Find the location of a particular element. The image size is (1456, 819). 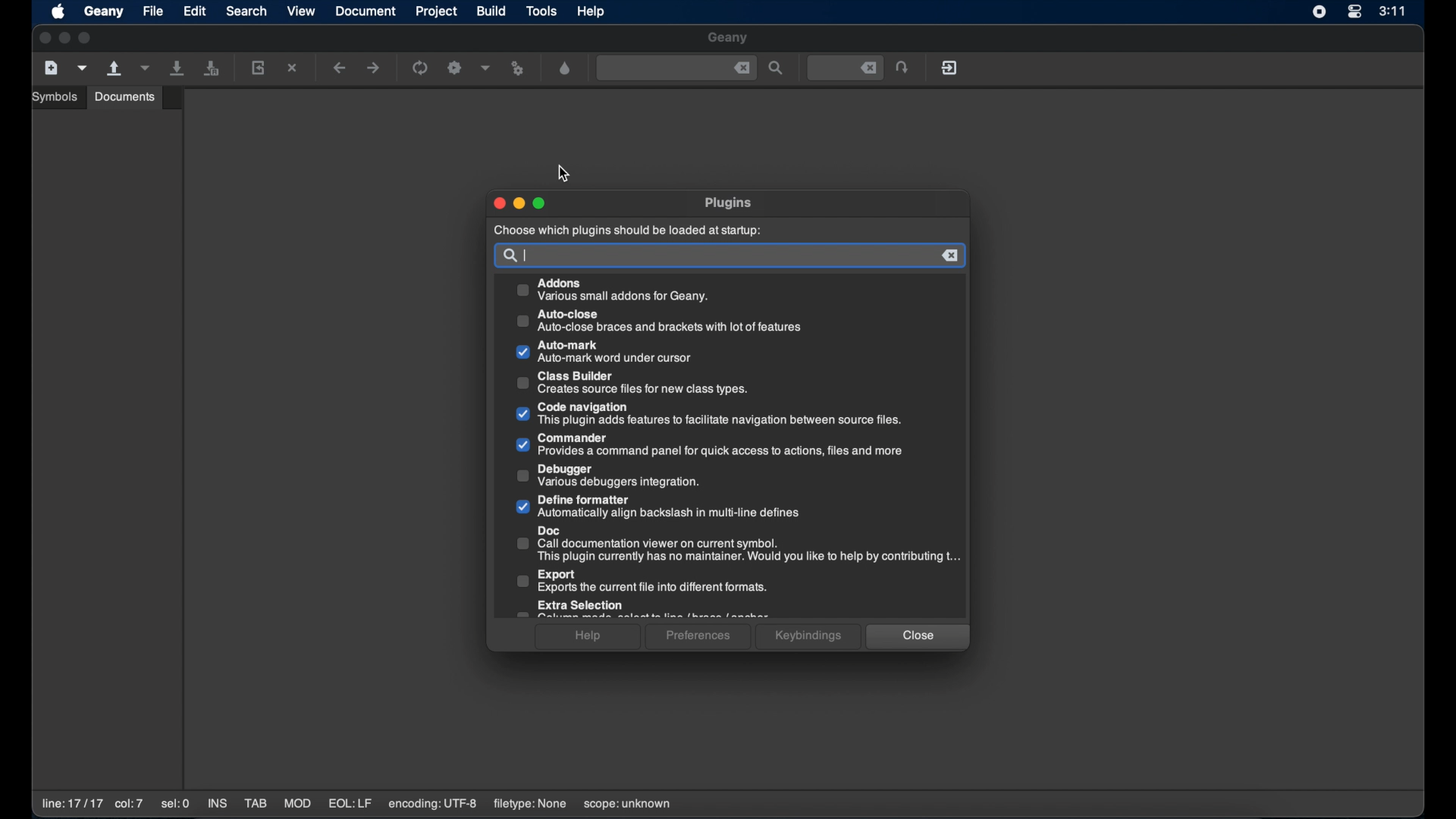

search bar is located at coordinates (729, 254).